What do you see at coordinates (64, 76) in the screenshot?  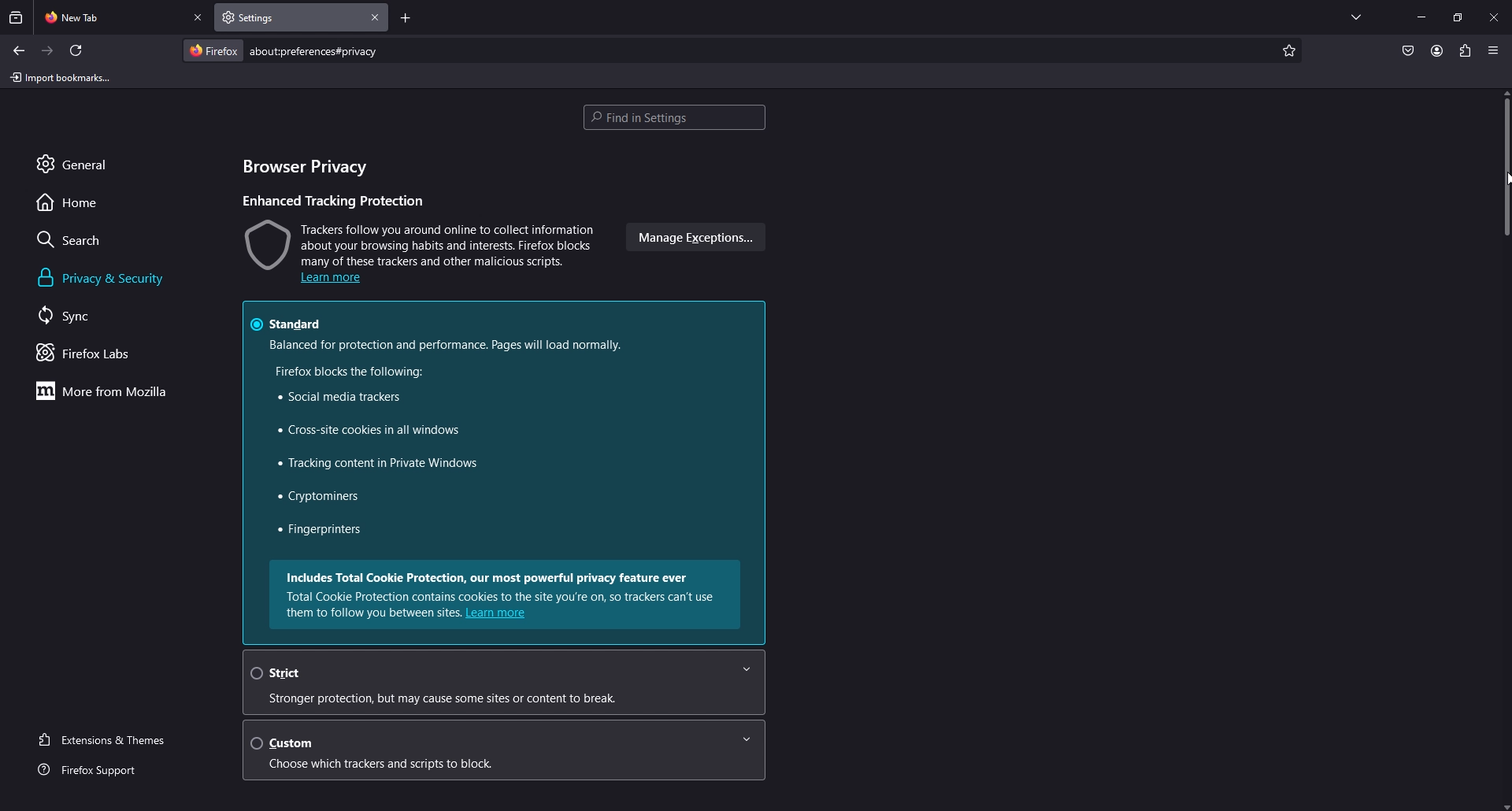 I see `import bookmarks` at bounding box center [64, 76].